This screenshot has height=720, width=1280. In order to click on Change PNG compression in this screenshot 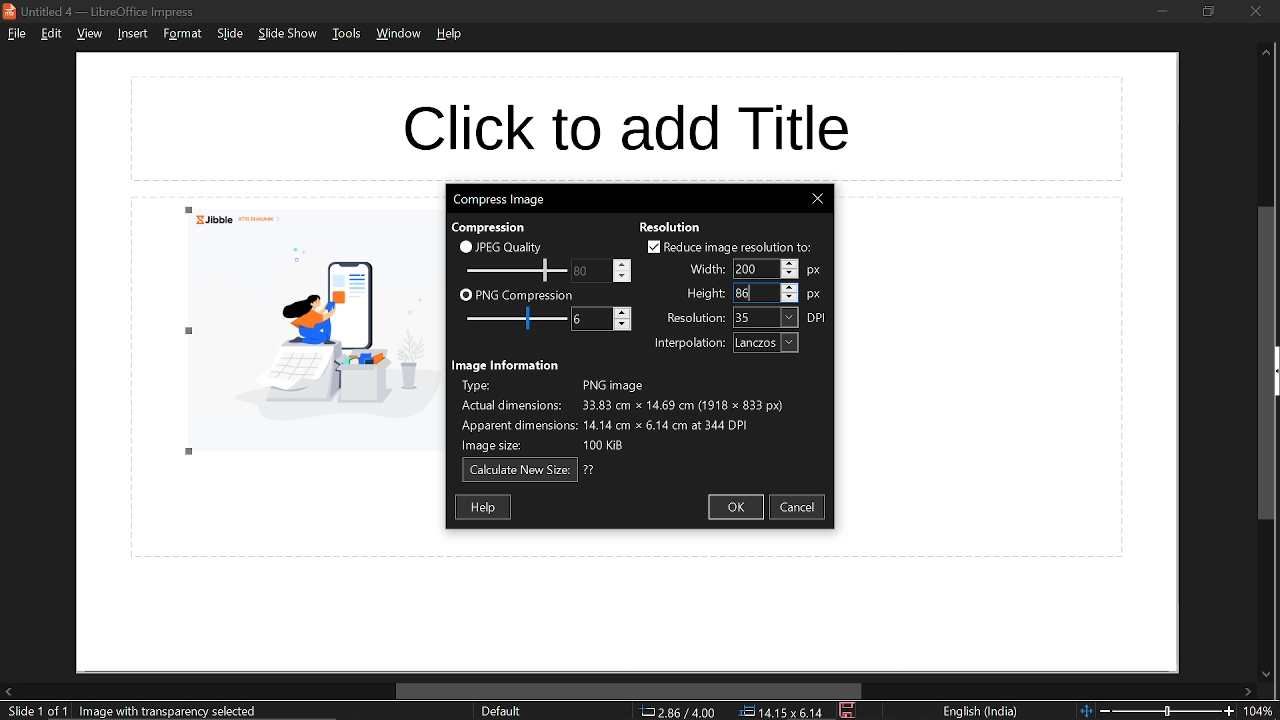, I will do `click(591, 320)`.